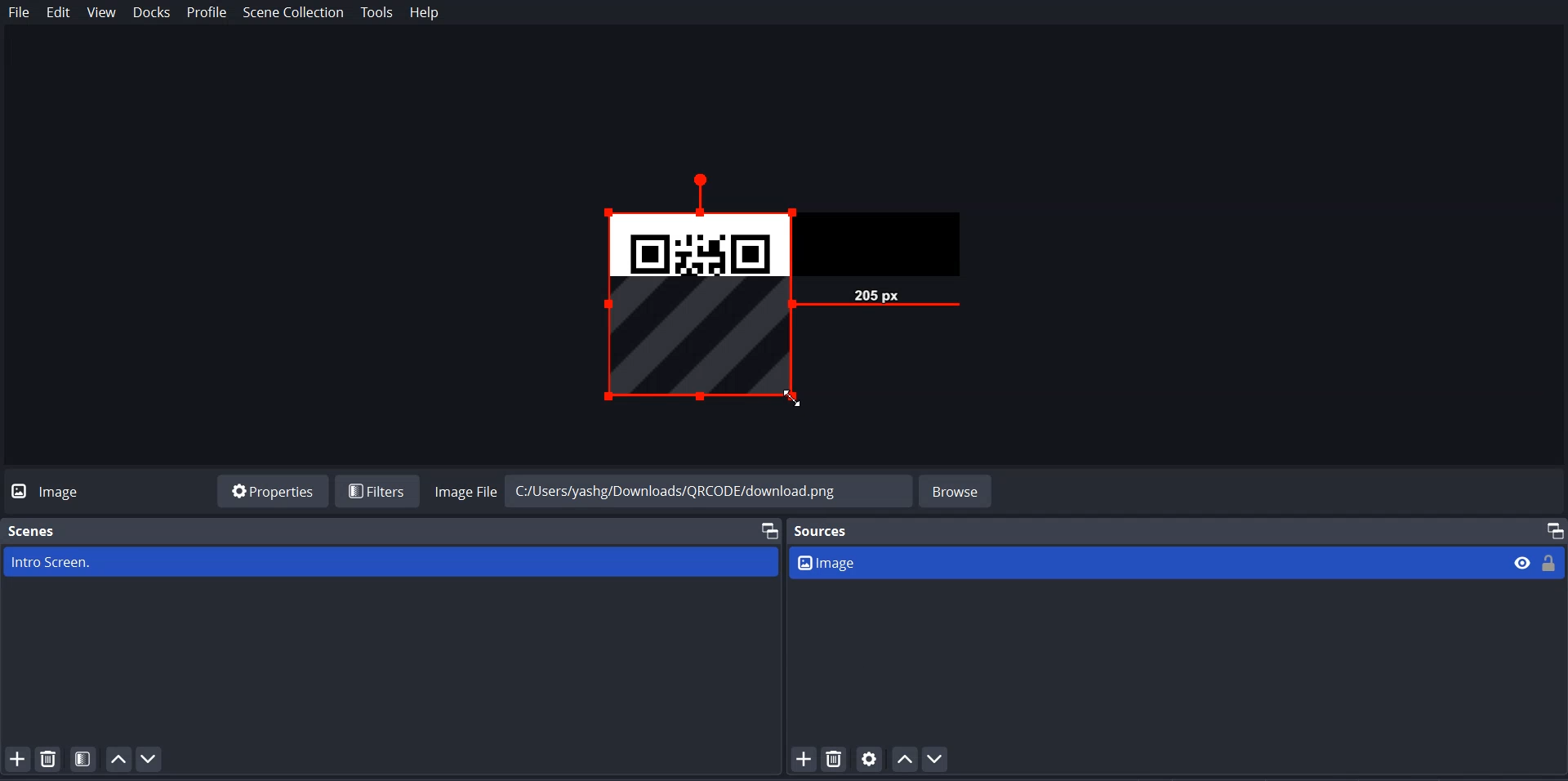  Describe the element at coordinates (153, 14) in the screenshot. I see `Docks` at that location.